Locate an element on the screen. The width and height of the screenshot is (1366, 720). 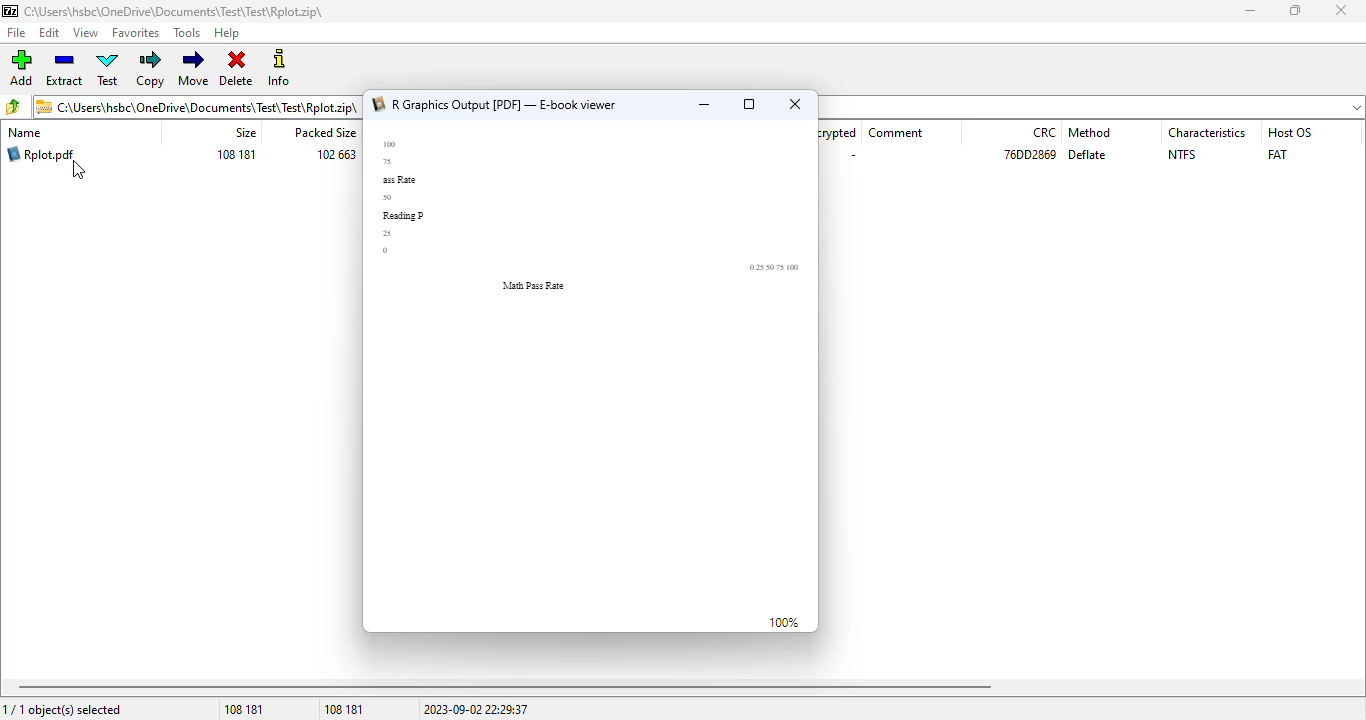
R Graphics Output [PDF] — E-book viewer is located at coordinates (495, 105).